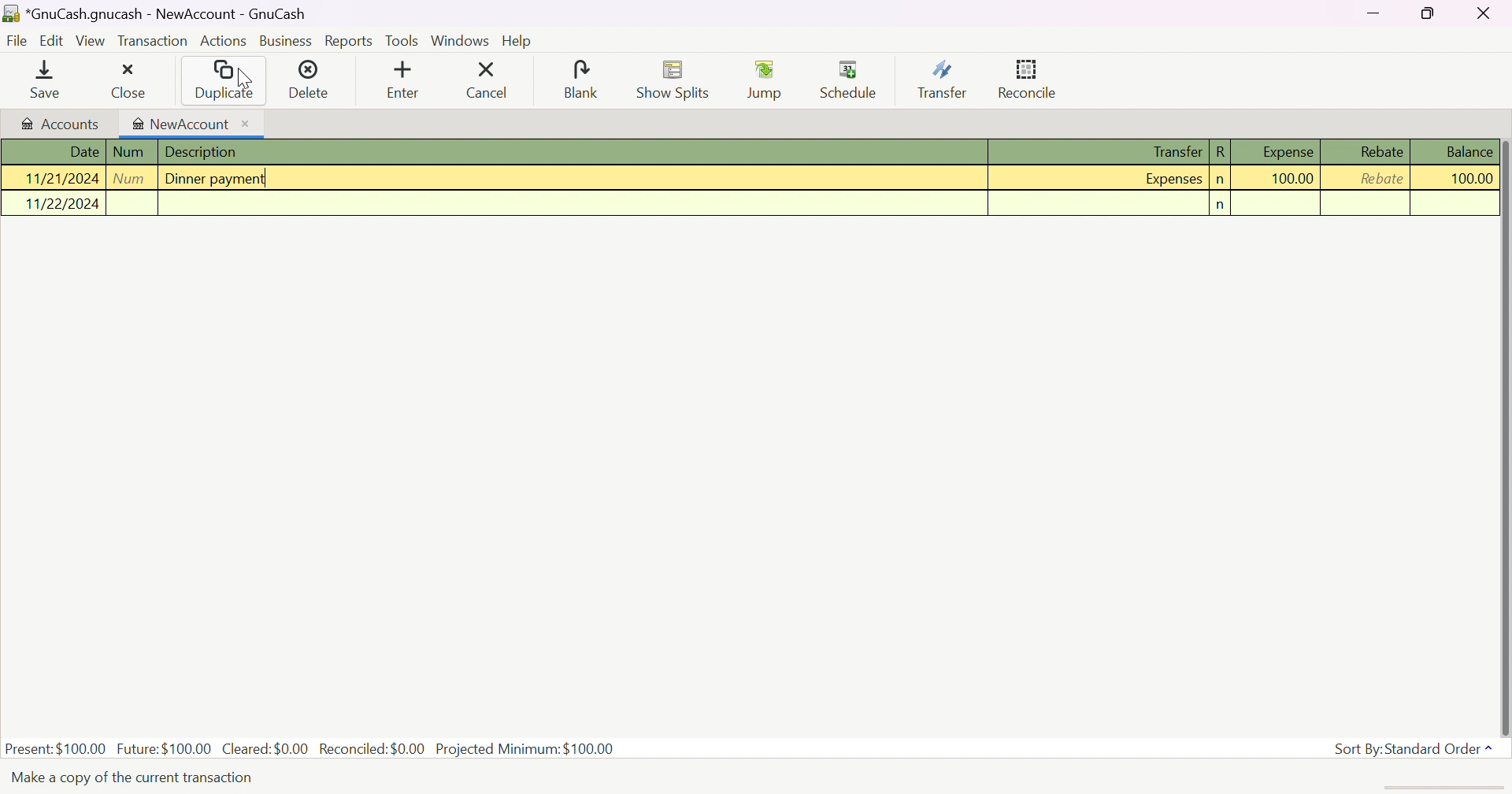 This screenshot has height=794, width=1512. What do you see at coordinates (223, 80) in the screenshot?
I see `Duplicate` at bounding box center [223, 80].